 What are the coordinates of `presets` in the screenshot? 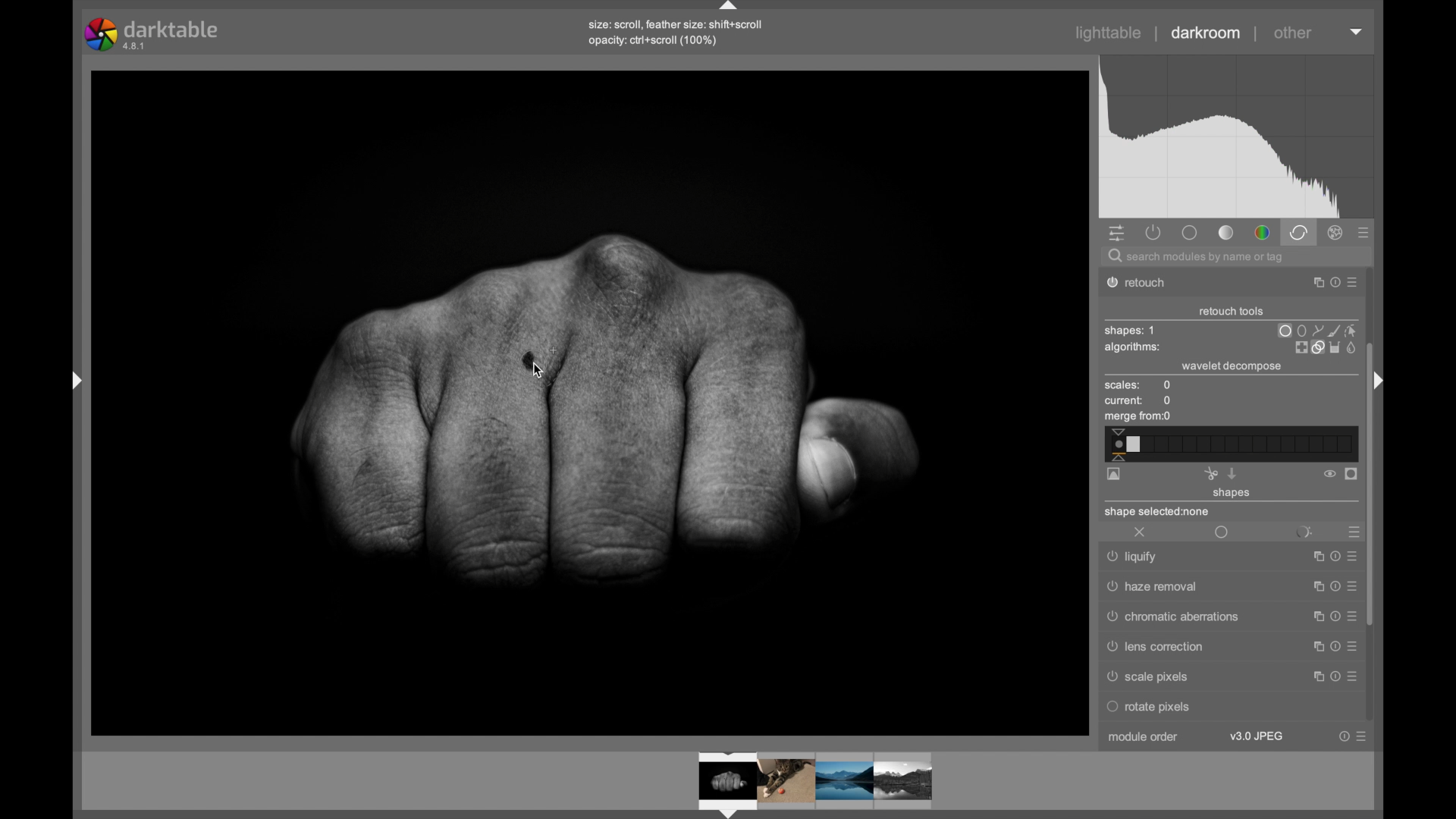 It's located at (1364, 234).